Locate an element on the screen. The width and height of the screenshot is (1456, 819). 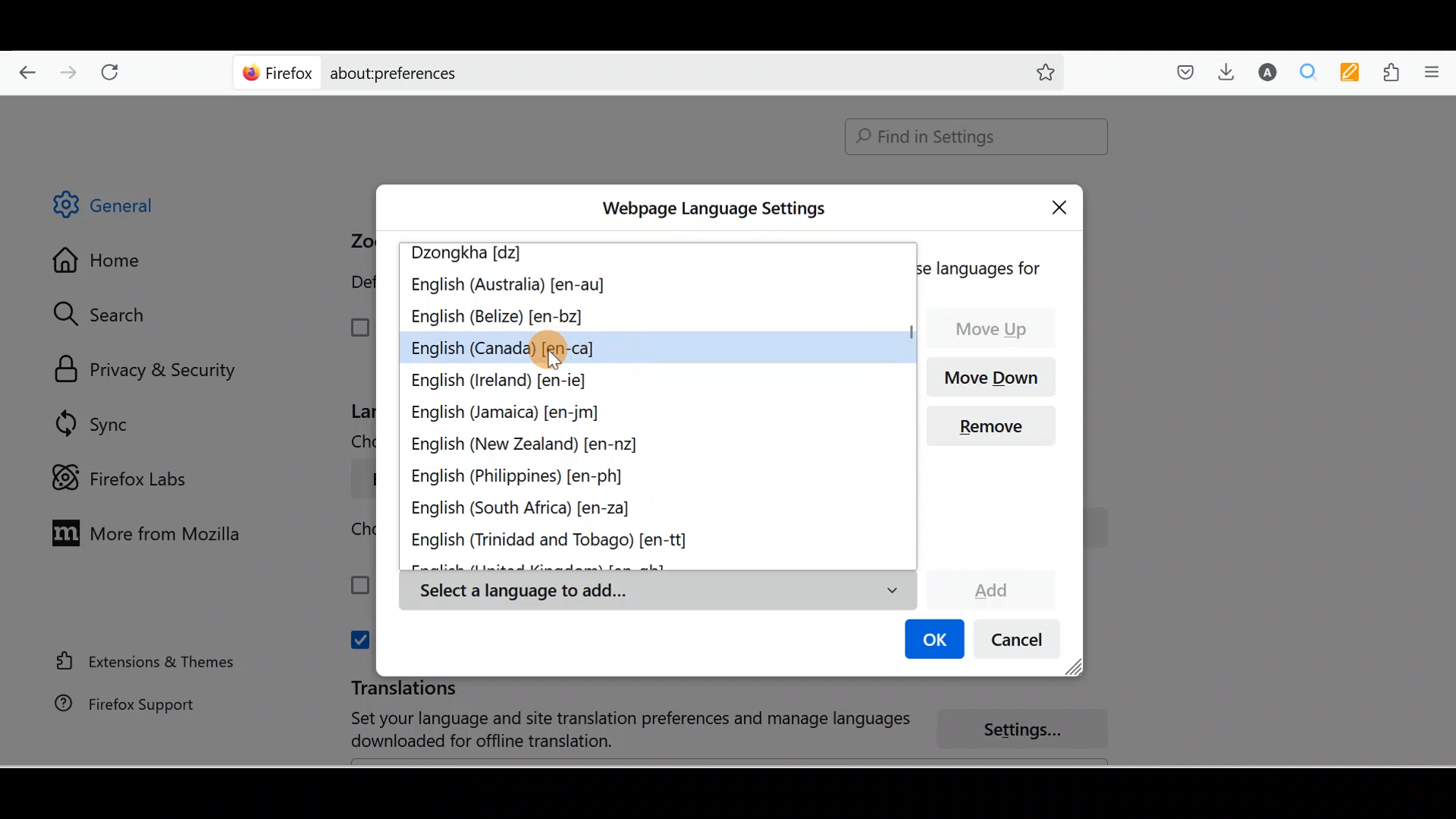
English (Belize) [en-bz] is located at coordinates (497, 318).